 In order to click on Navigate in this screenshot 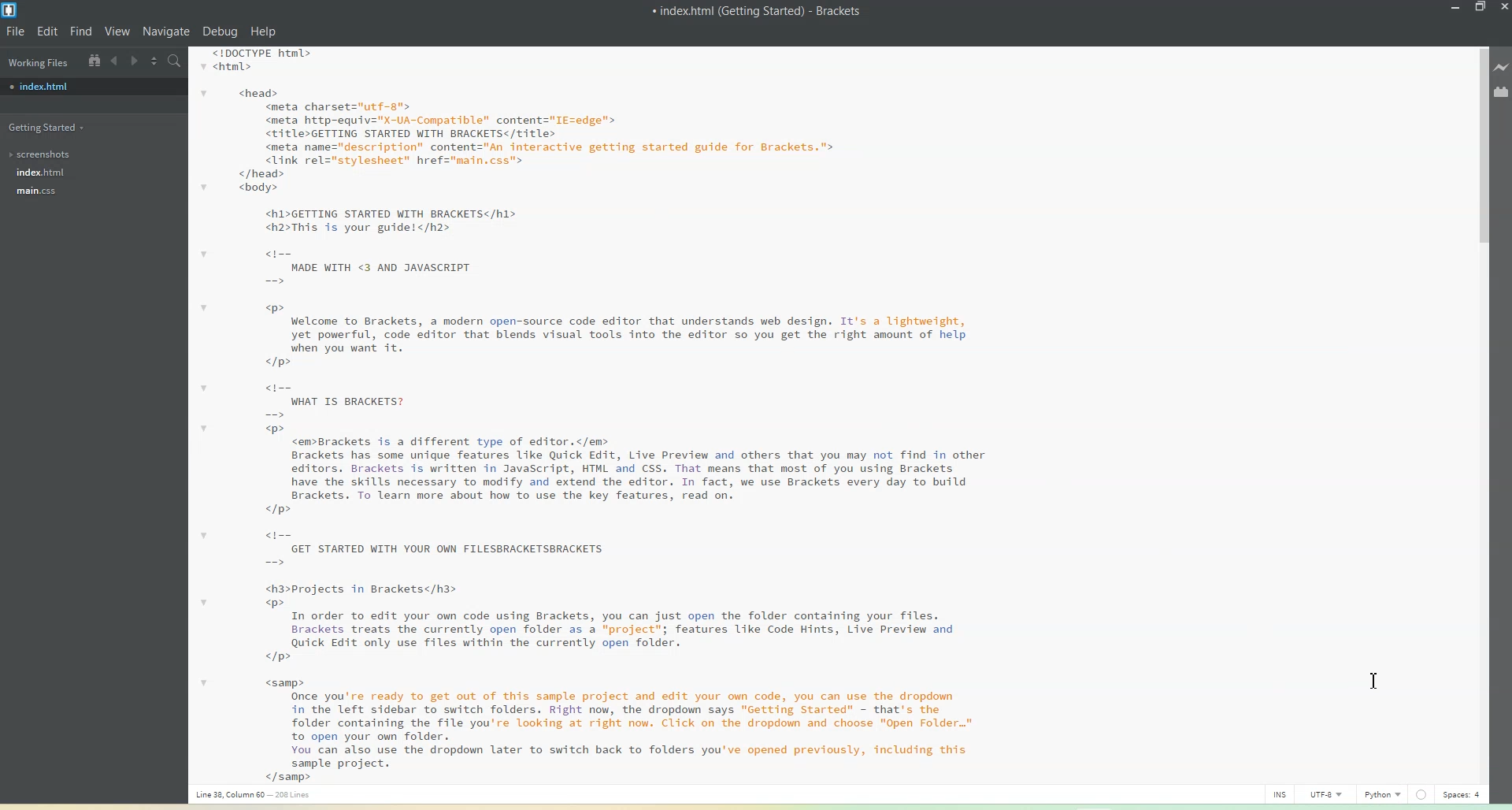, I will do `click(169, 32)`.